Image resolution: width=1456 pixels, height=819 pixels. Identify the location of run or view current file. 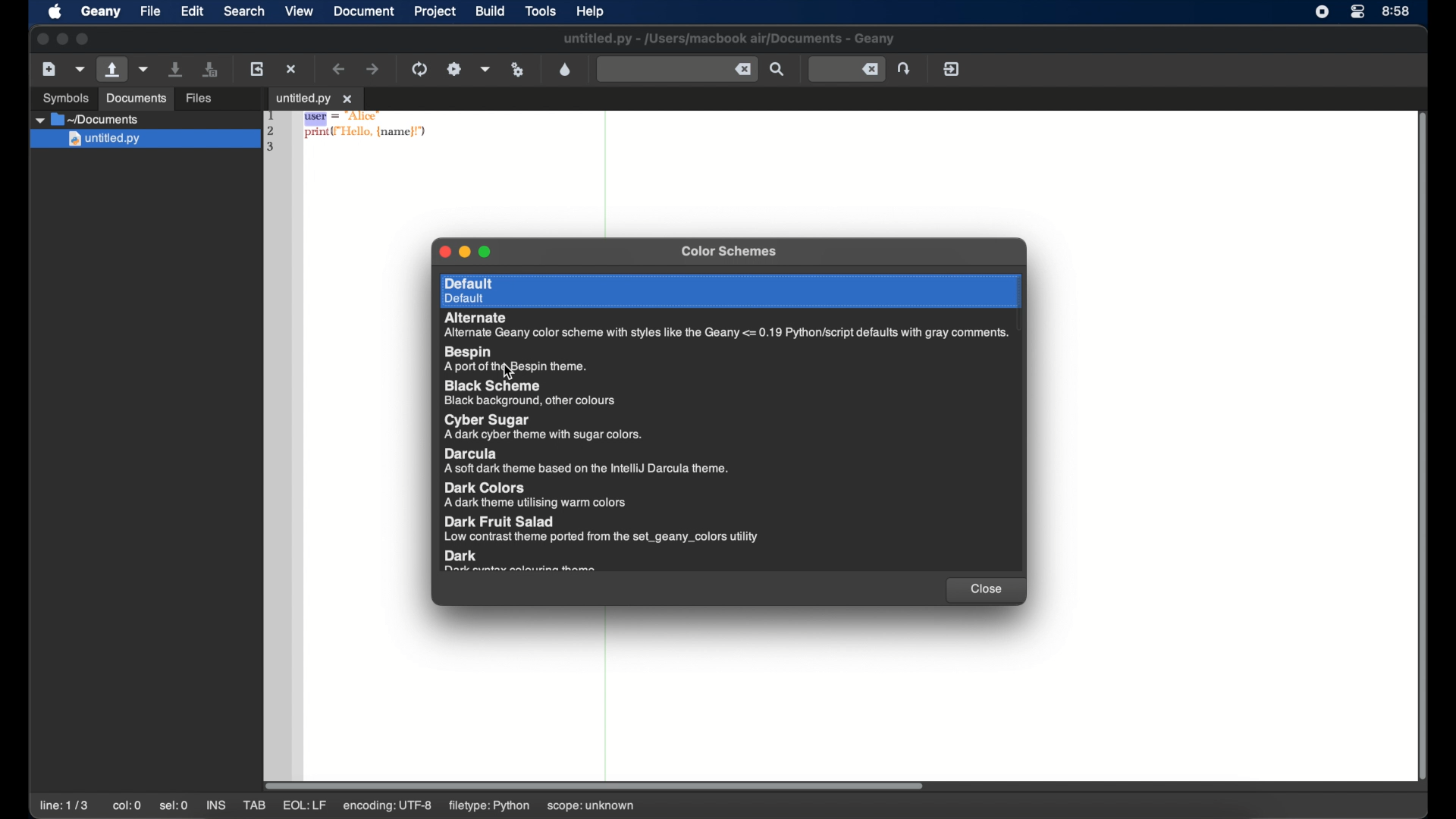
(518, 70).